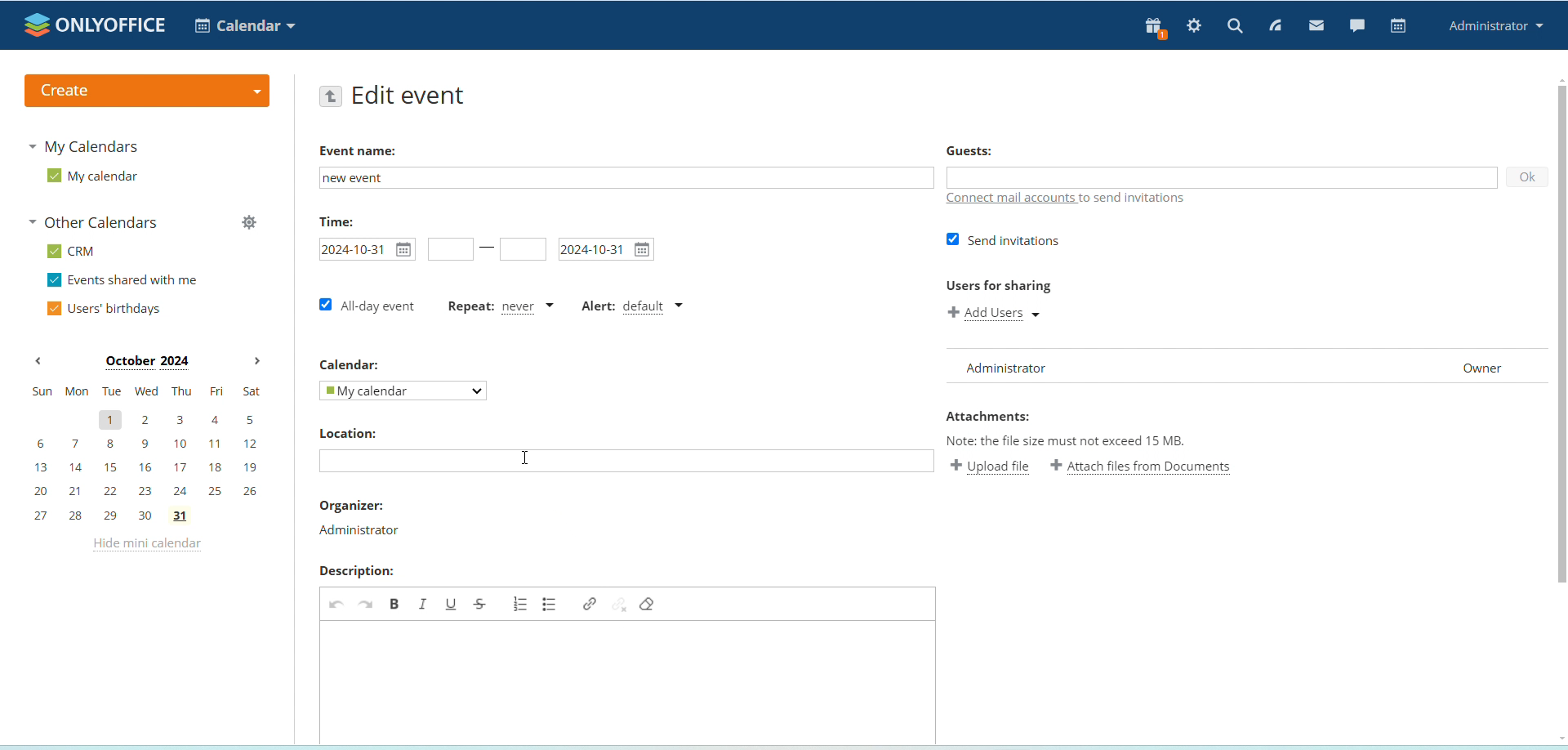  I want to click on previous month, so click(38, 362).